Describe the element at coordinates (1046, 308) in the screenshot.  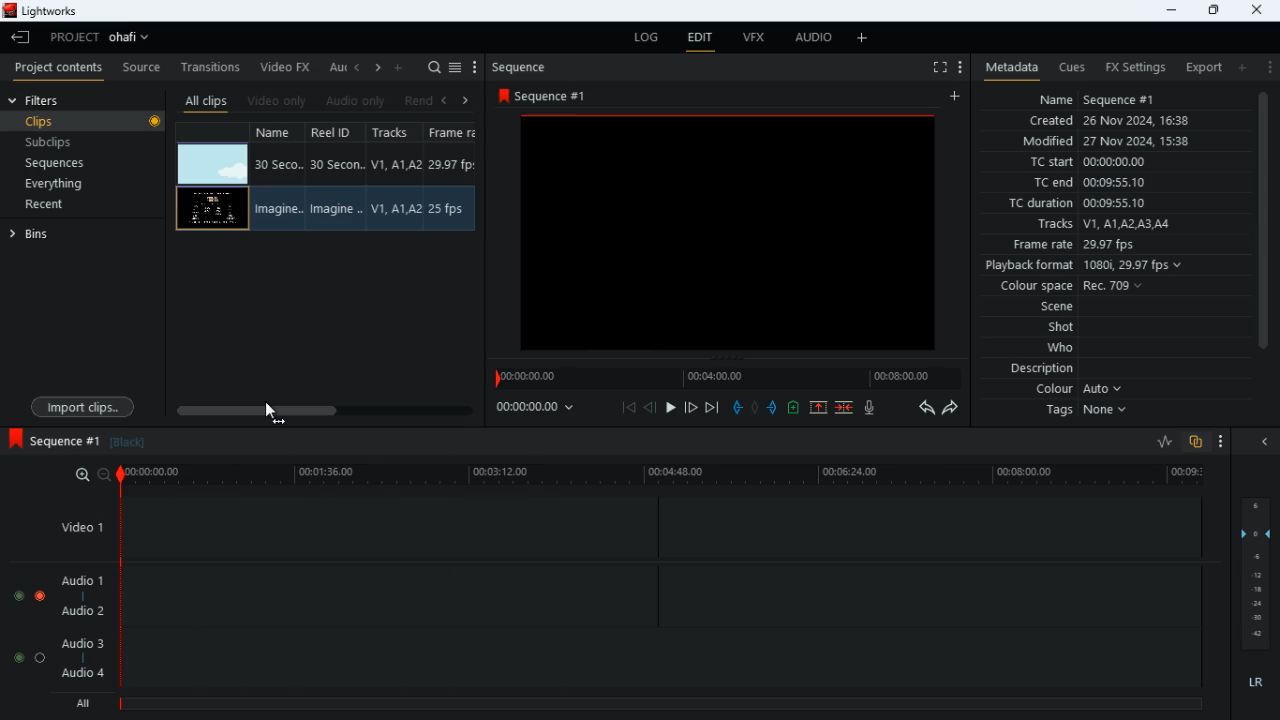
I see `scene` at that location.